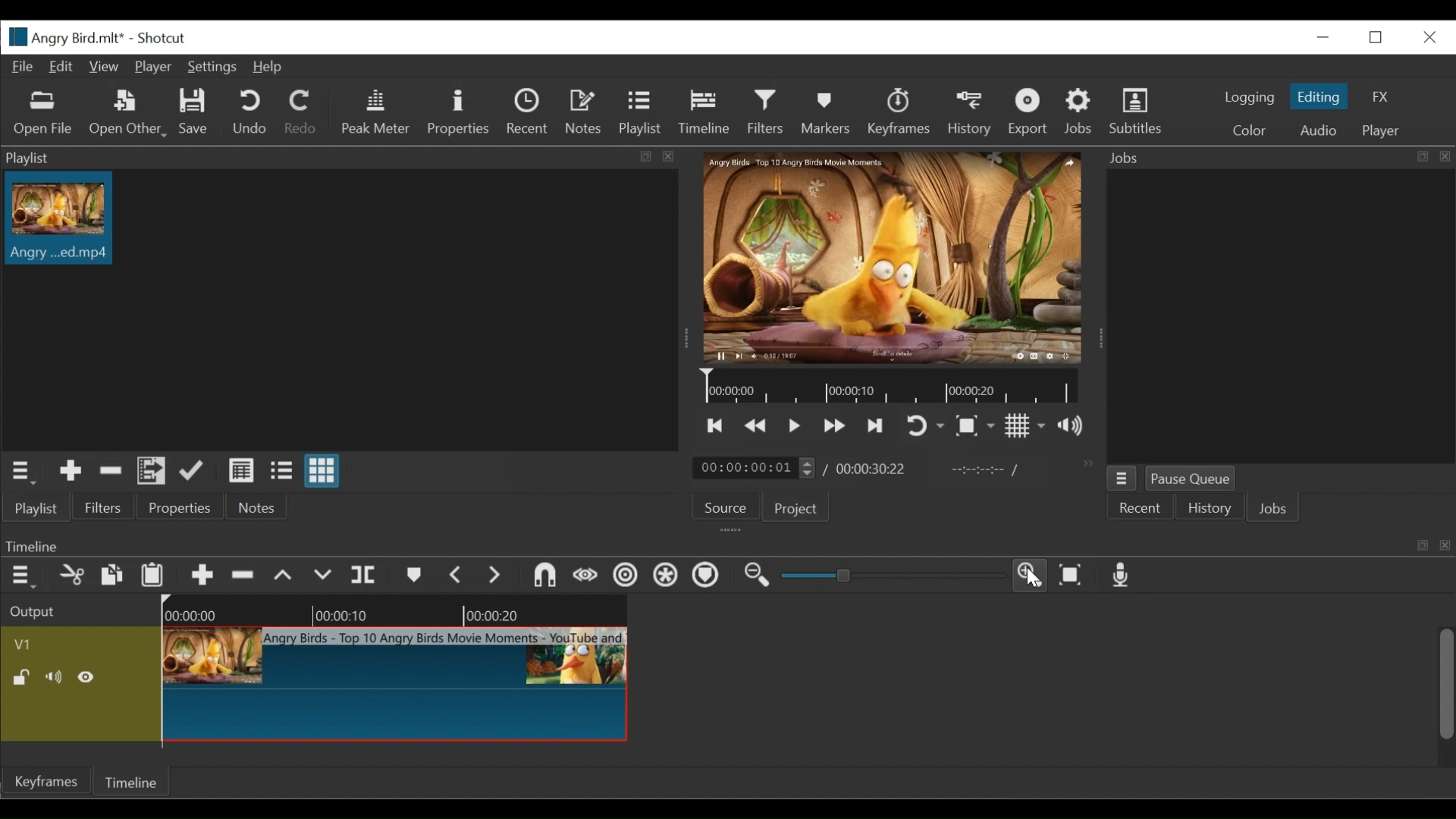  What do you see at coordinates (413, 576) in the screenshot?
I see `Markers` at bounding box center [413, 576].